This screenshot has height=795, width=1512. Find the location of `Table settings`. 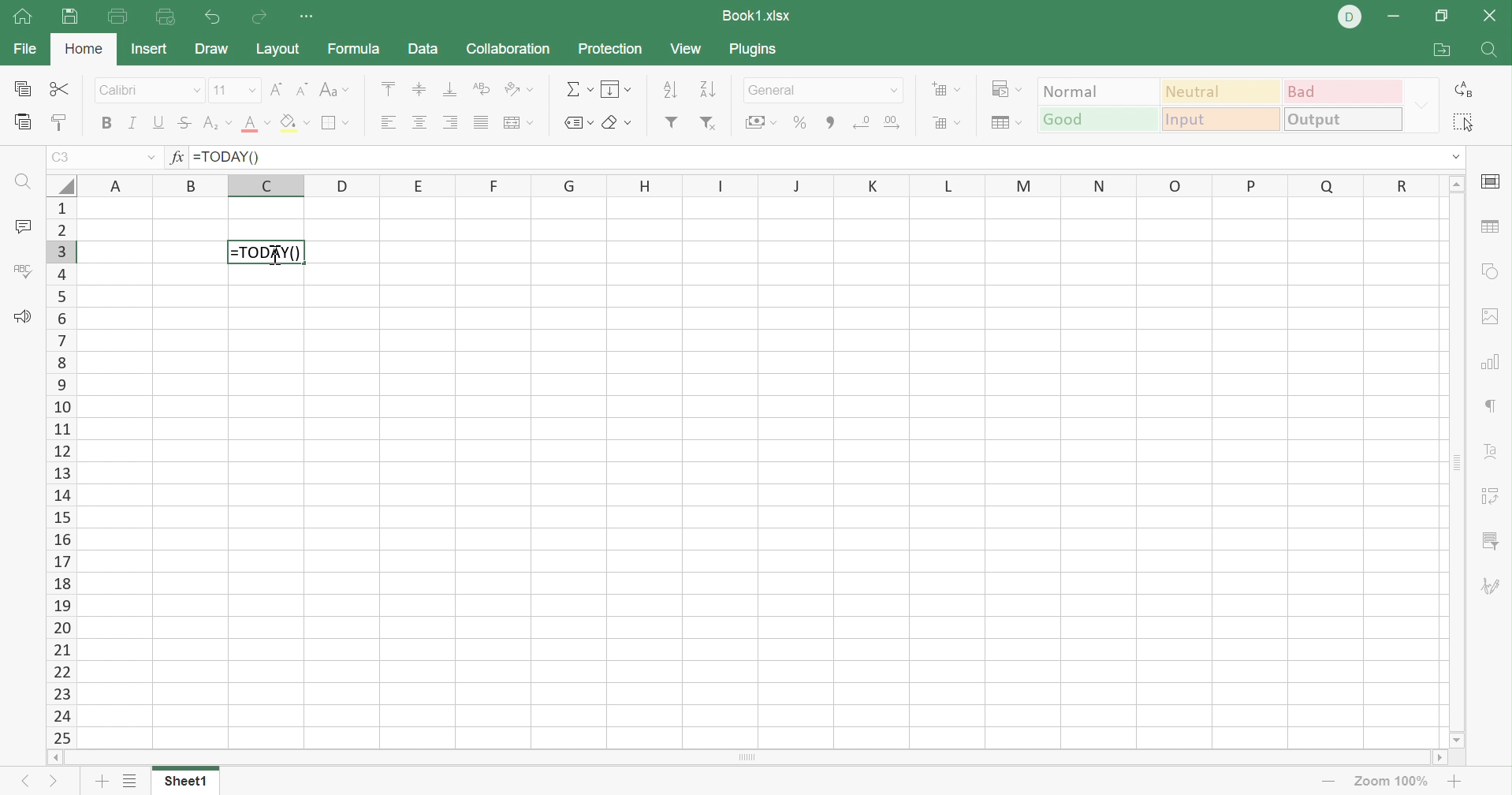

Table settings is located at coordinates (1494, 230).